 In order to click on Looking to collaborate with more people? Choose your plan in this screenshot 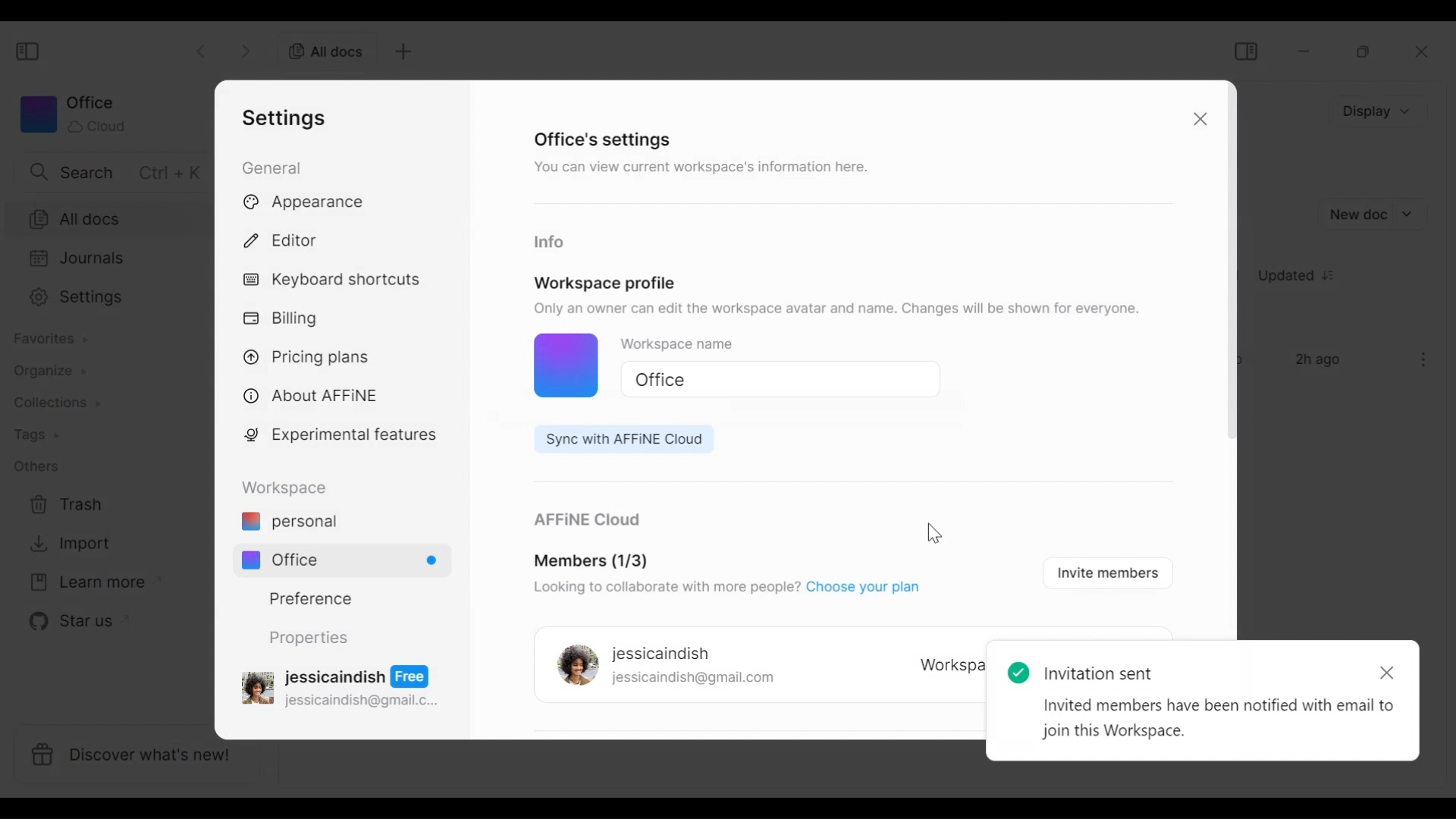, I will do `click(724, 589)`.